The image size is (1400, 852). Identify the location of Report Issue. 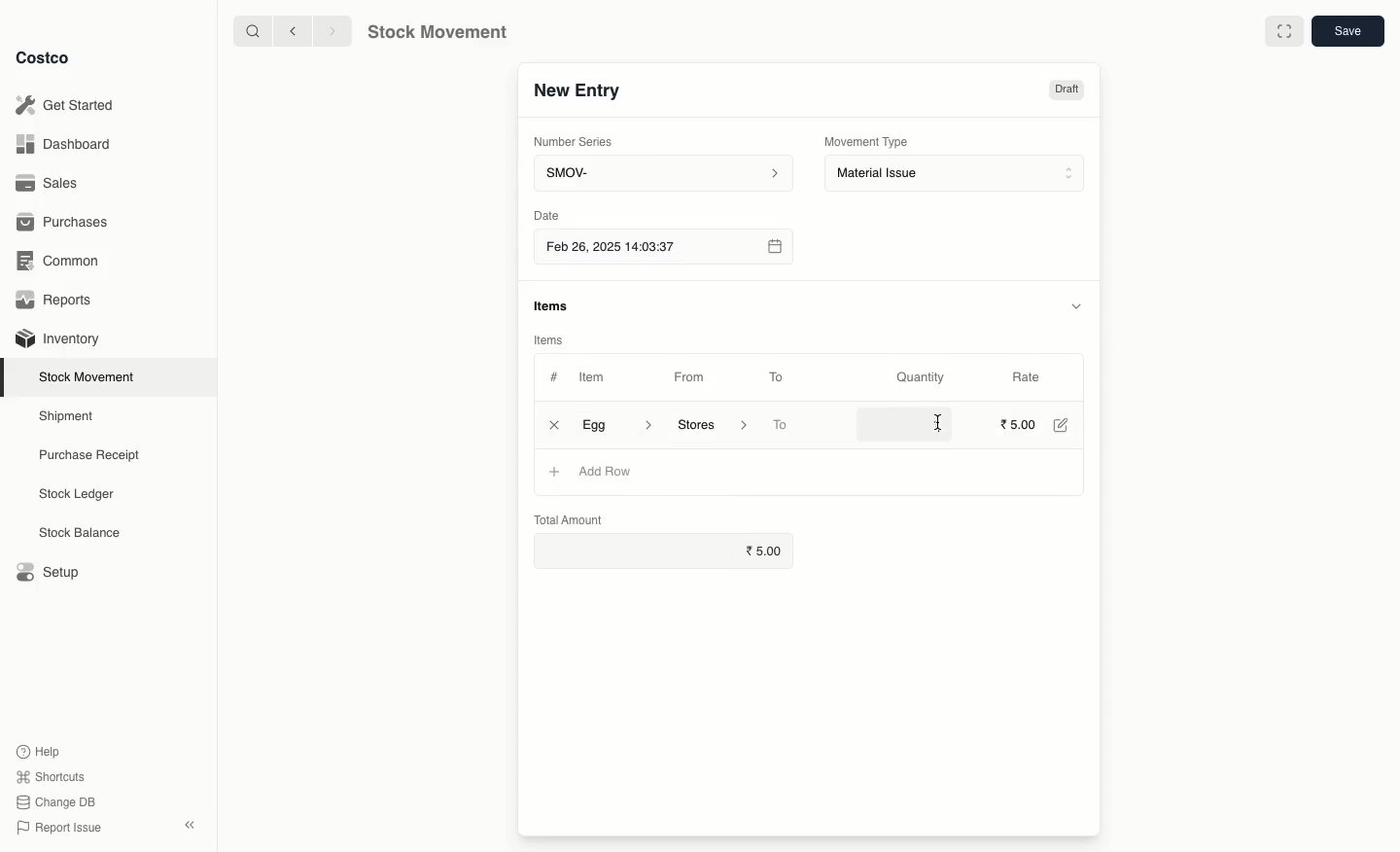
(61, 828).